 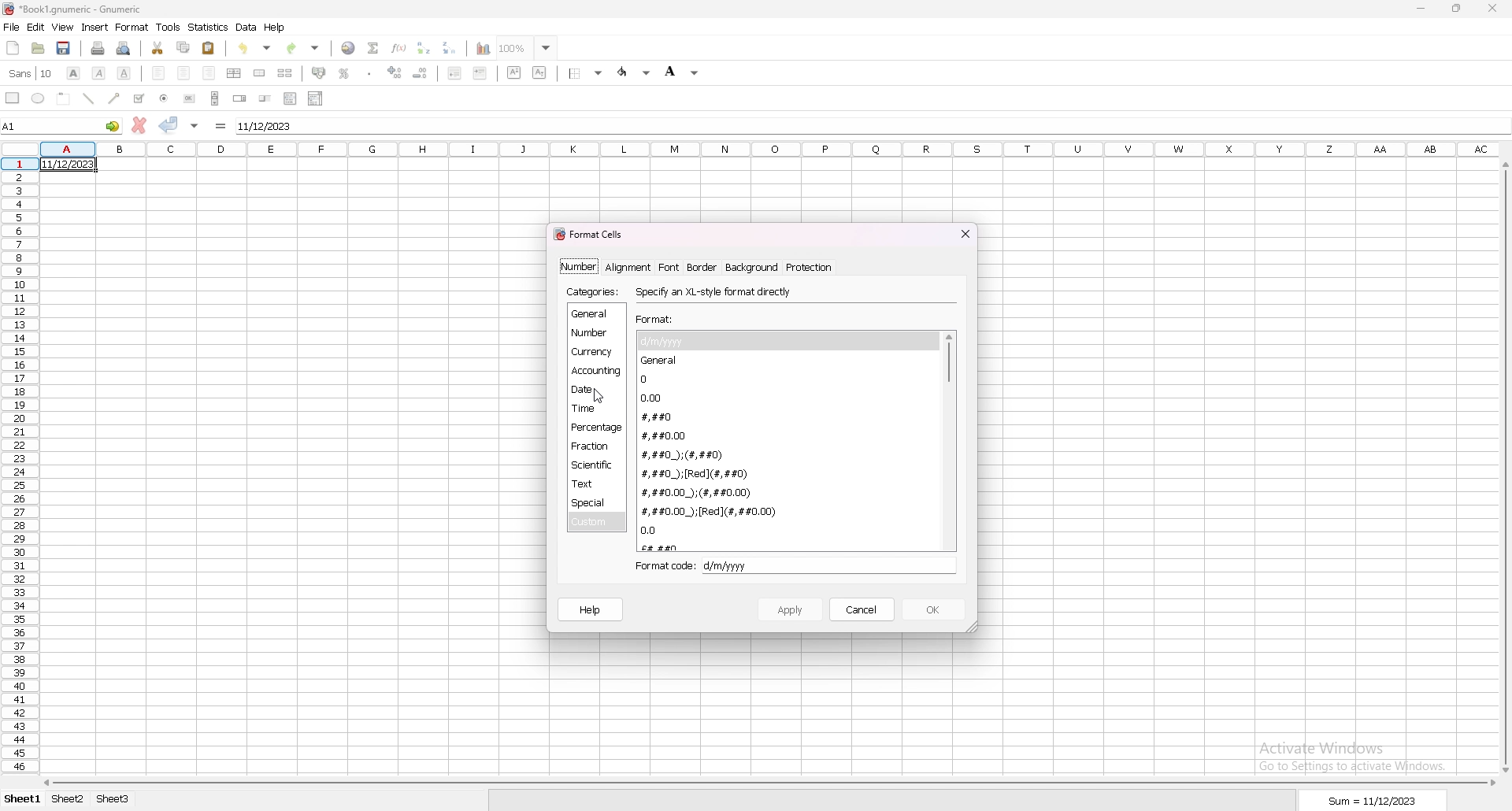 What do you see at coordinates (319, 72) in the screenshot?
I see `accounting` at bounding box center [319, 72].